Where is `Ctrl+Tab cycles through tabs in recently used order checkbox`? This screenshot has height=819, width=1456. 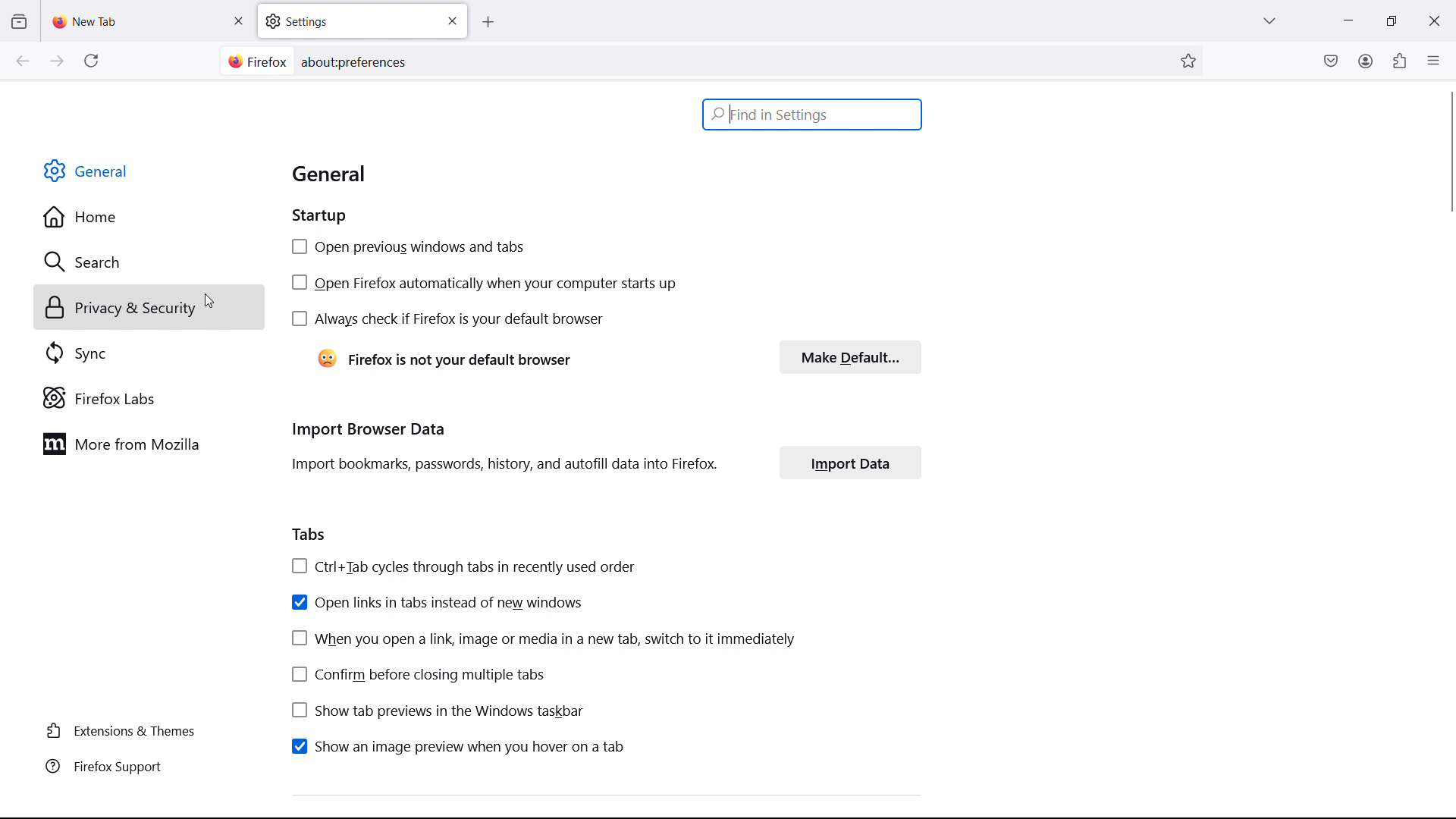
Ctrl+Tab cycles through tabs in recently used order checkbox is located at coordinates (466, 566).